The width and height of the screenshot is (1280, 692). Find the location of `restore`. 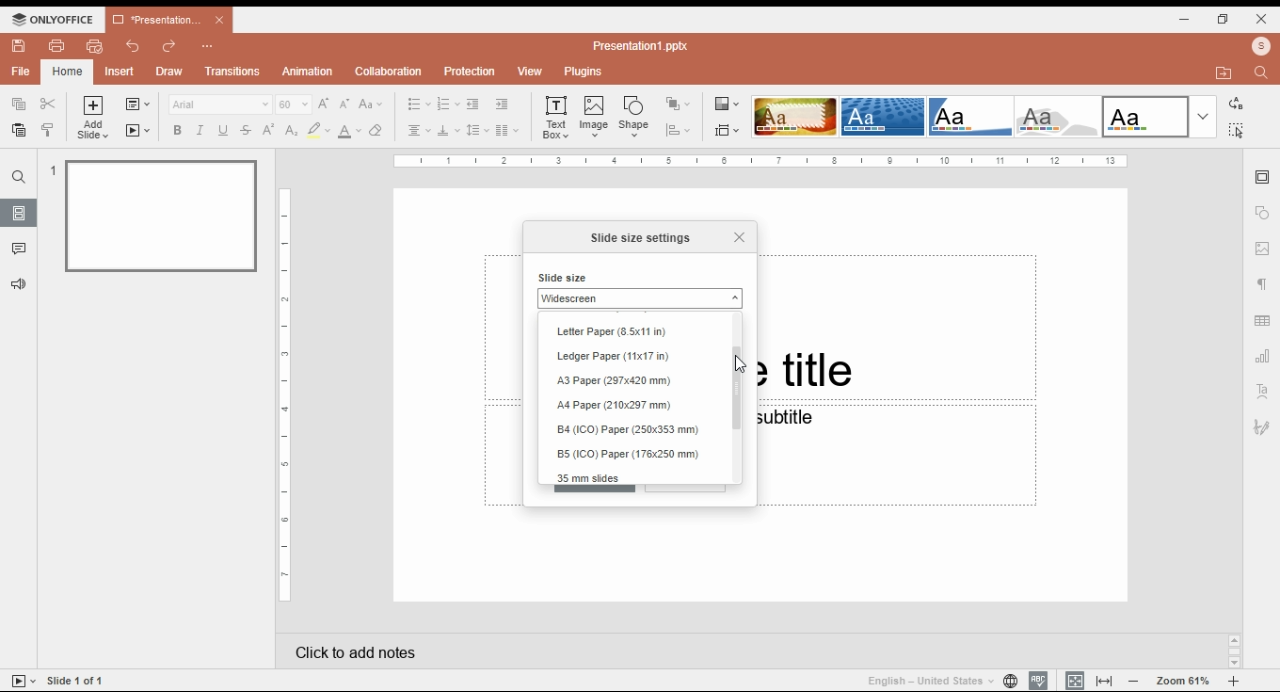

restore is located at coordinates (1223, 19).